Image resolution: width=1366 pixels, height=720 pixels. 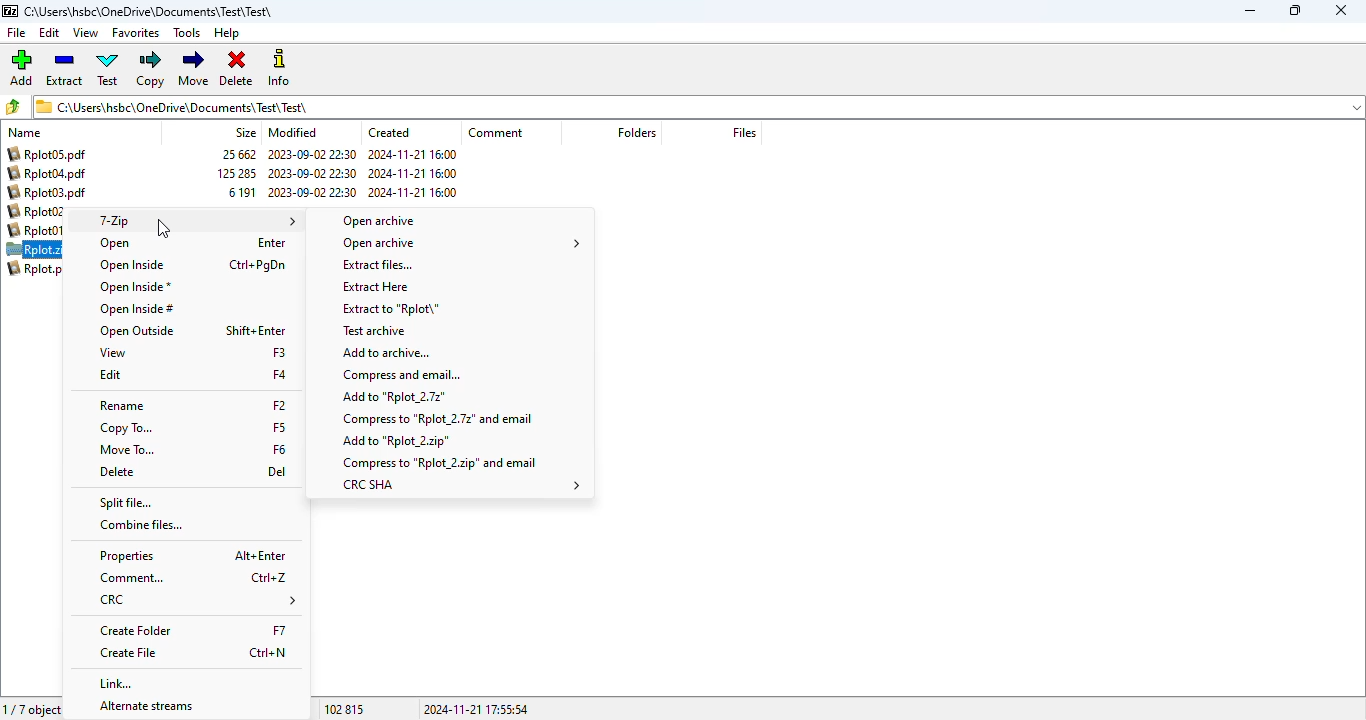 I want to click on rename, so click(x=122, y=407).